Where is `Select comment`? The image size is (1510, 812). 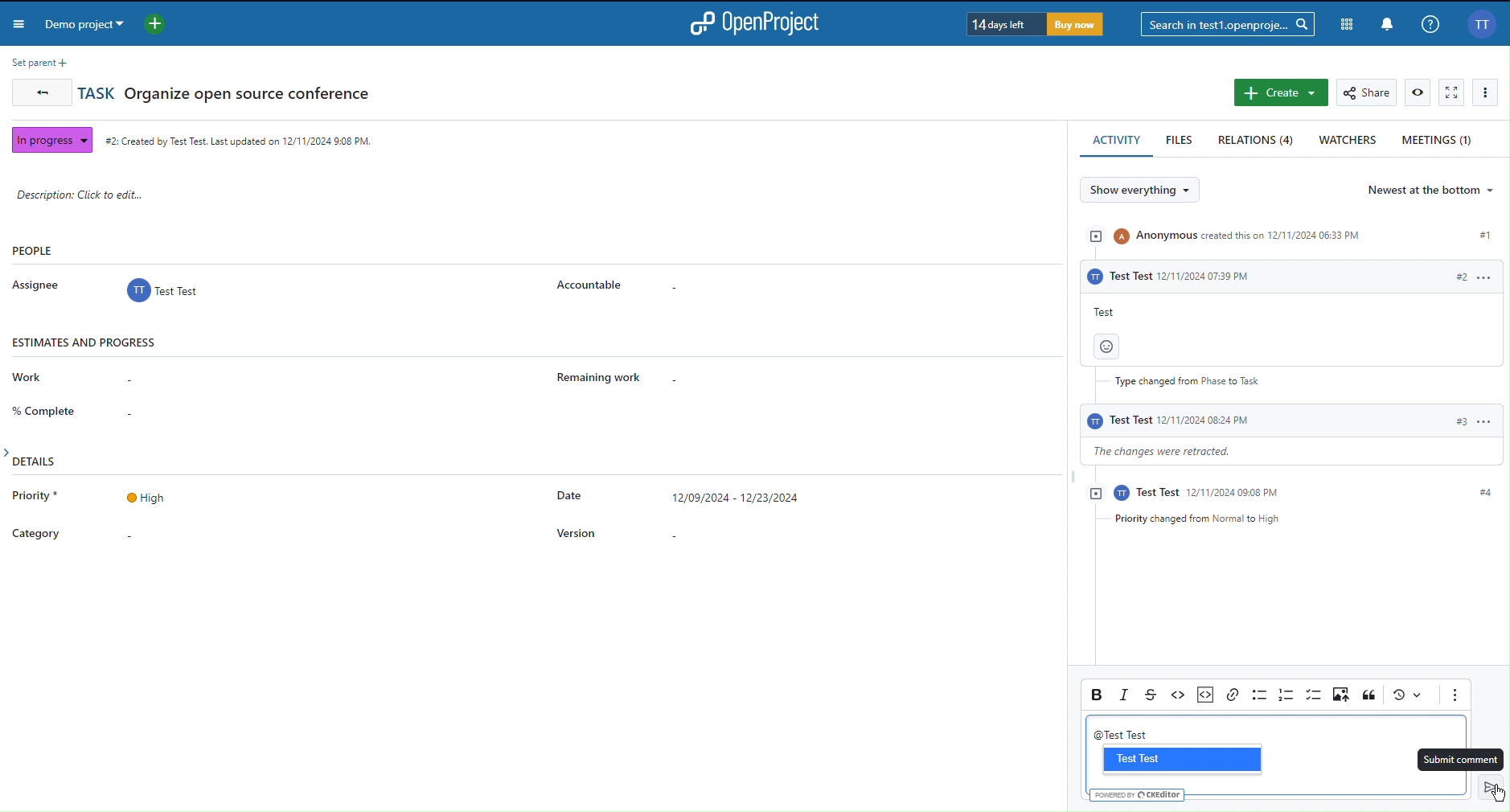
Select comment is located at coordinates (1459, 761).